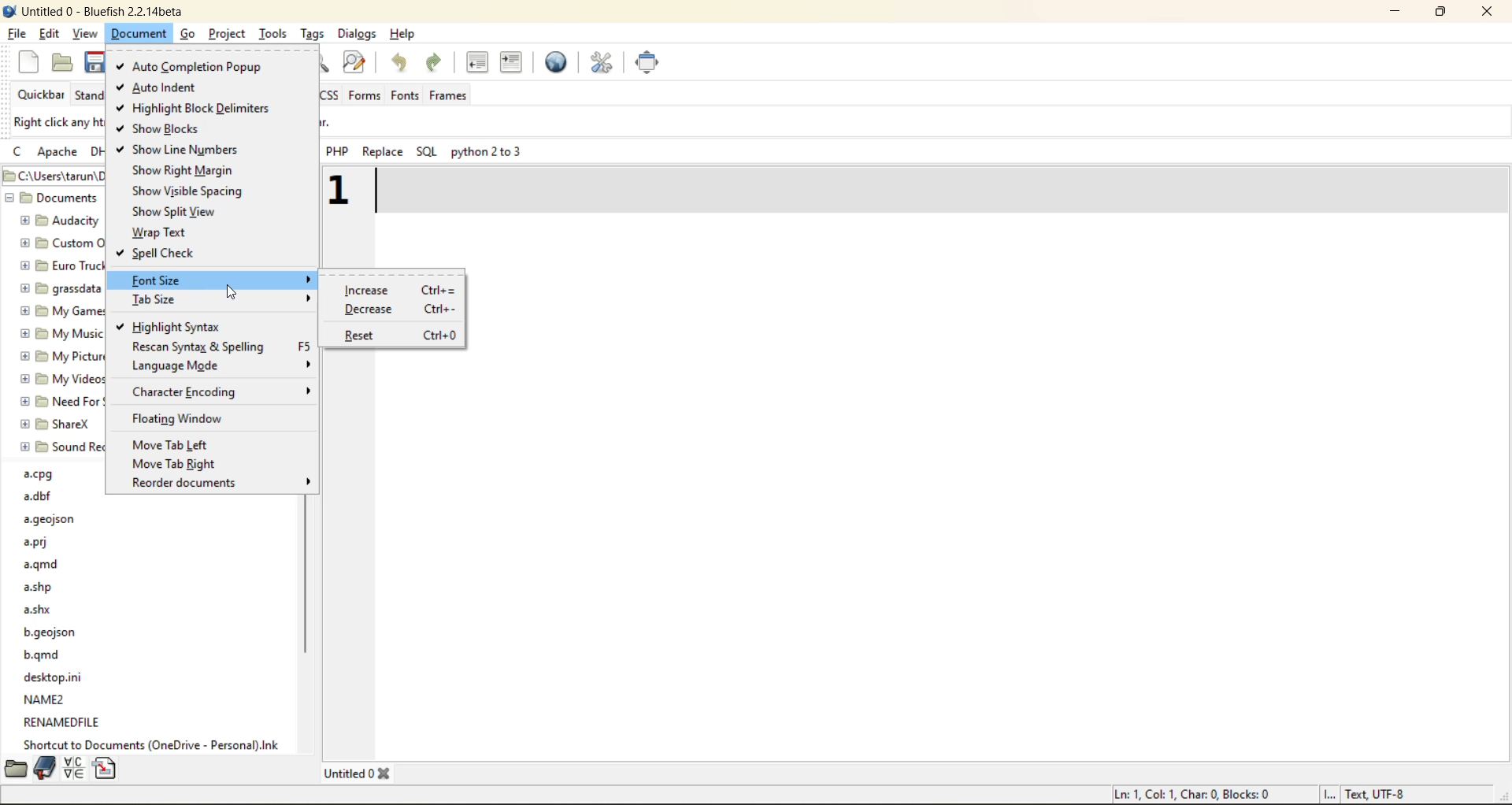 The image size is (1512, 805). Describe the element at coordinates (405, 338) in the screenshot. I see `reset` at that location.